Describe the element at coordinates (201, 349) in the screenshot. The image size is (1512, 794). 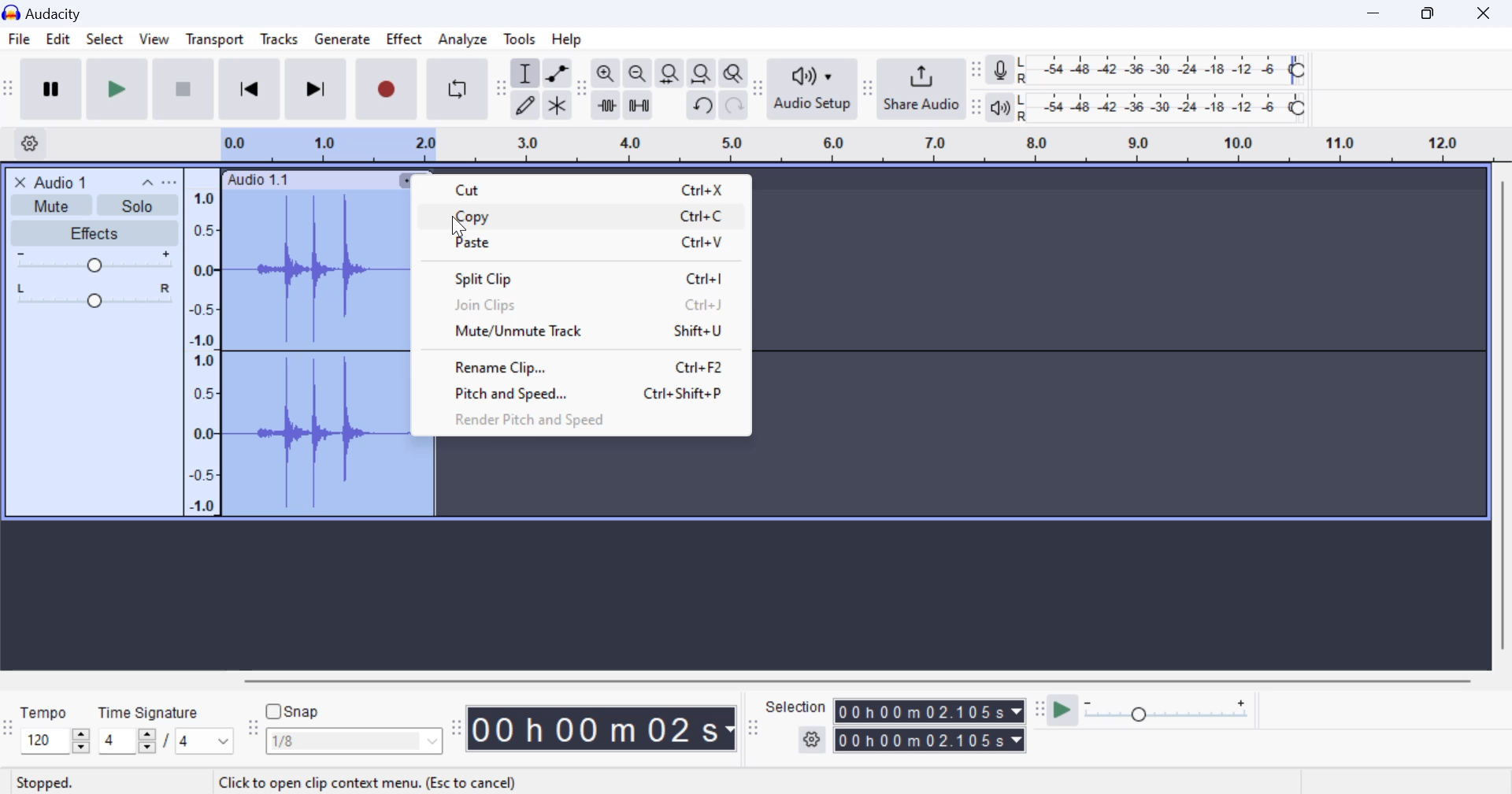
I see `Scale to measure intensity of waves in track` at that location.